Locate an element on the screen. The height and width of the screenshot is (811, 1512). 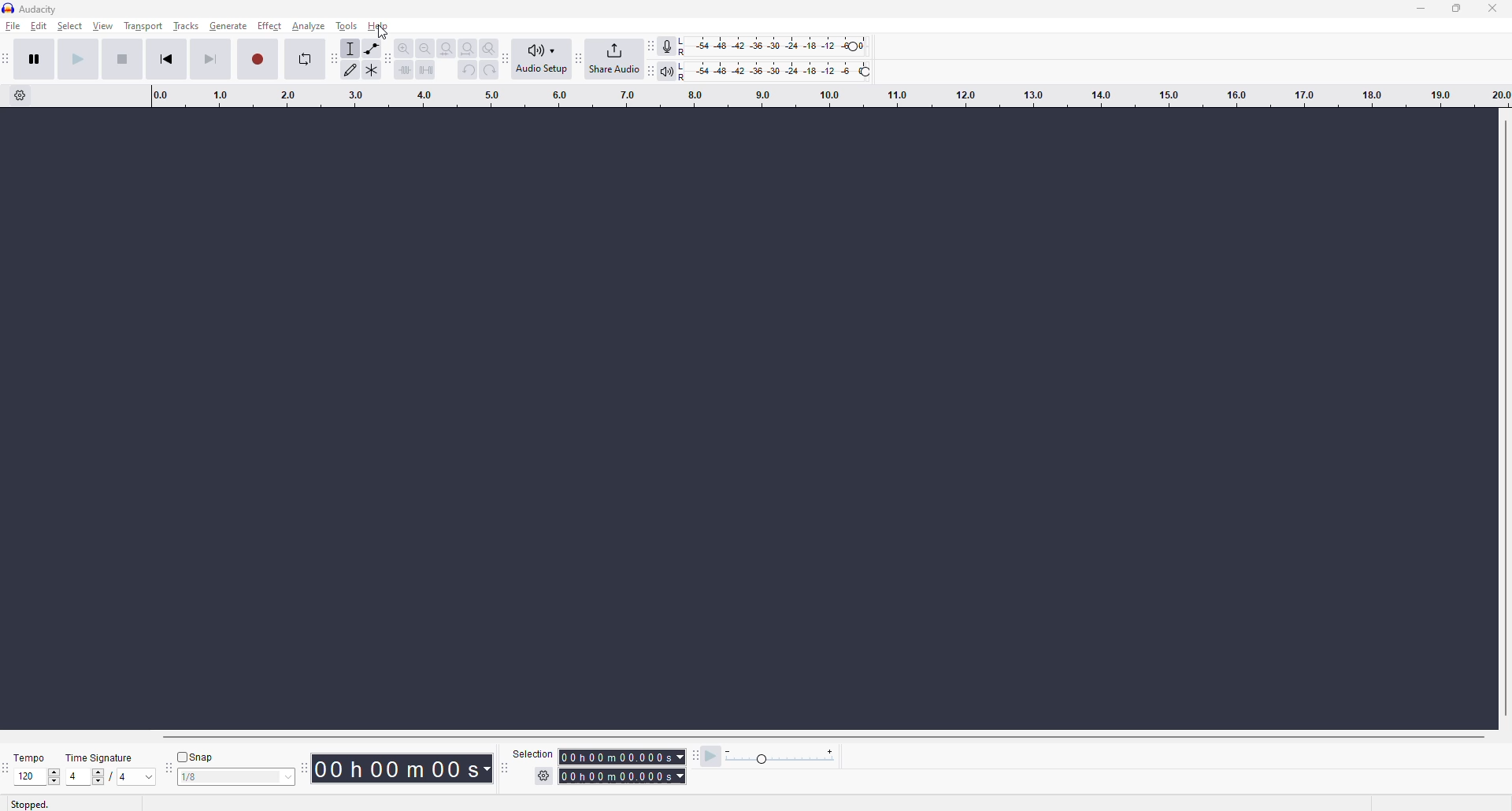
effect is located at coordinates (270, 28).